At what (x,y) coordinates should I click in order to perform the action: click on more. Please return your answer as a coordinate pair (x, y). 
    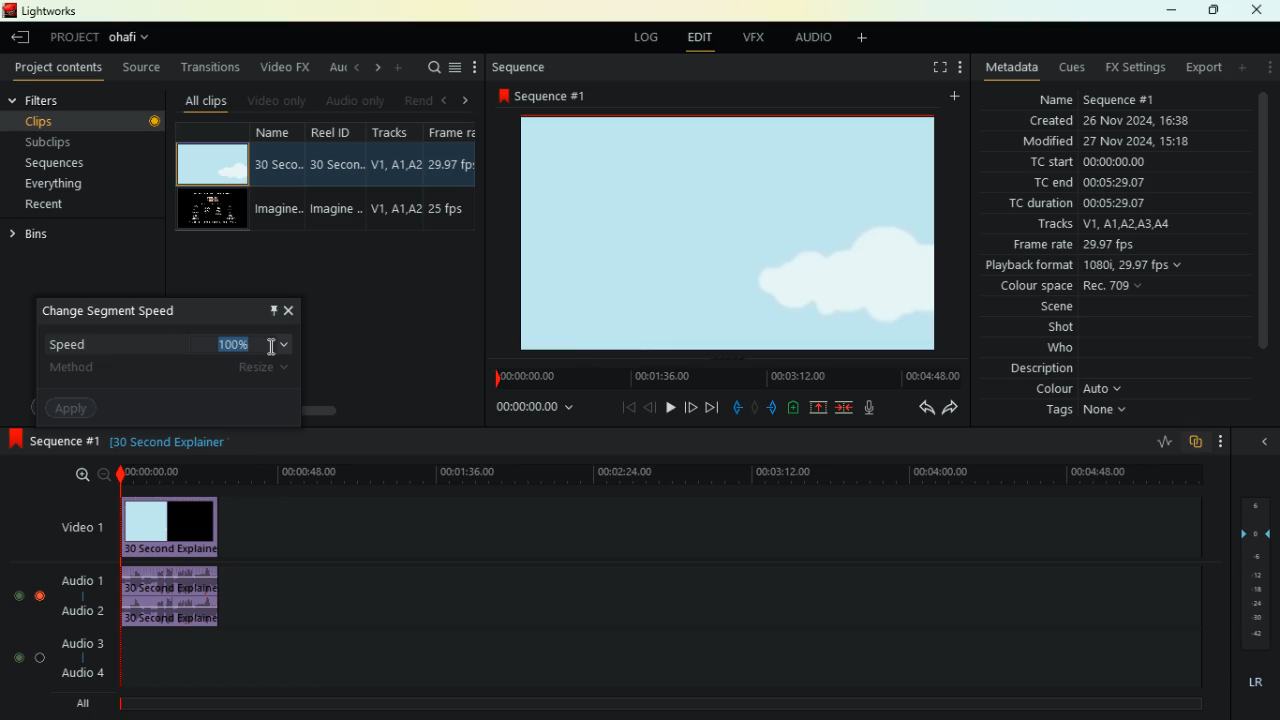
    Looking at the image, I should click on (1271, 67).